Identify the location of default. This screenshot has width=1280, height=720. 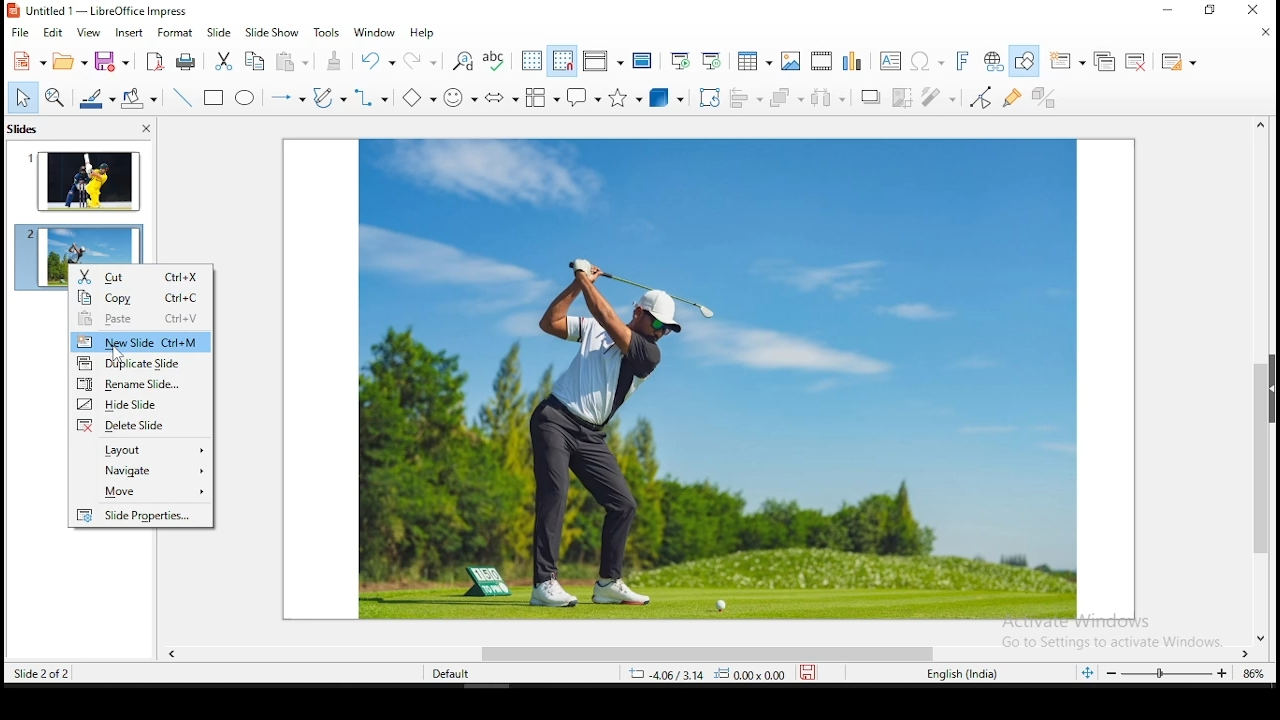
(452, 675).